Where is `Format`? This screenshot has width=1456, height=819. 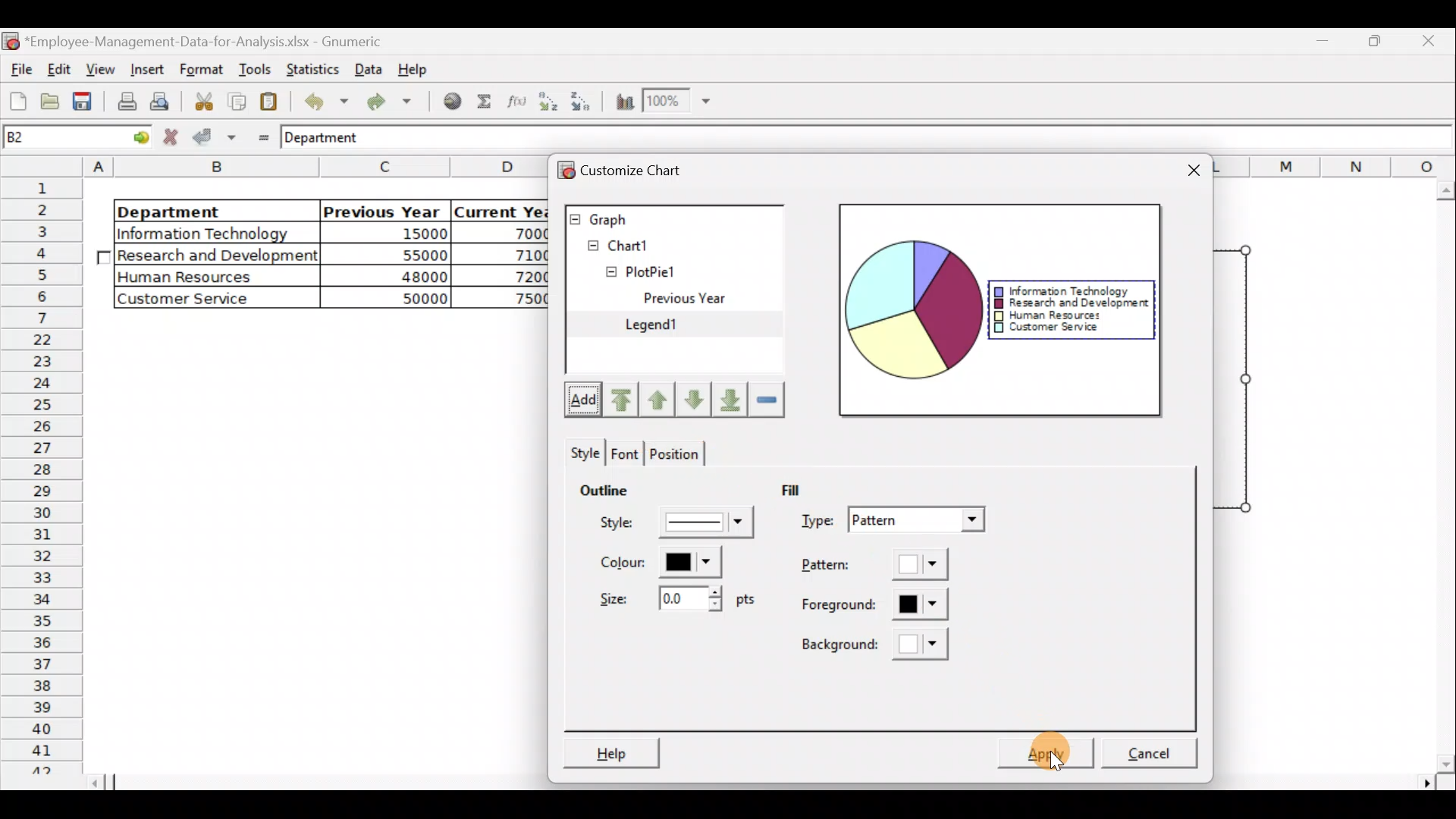
Format is located at coordinates (199, 70).